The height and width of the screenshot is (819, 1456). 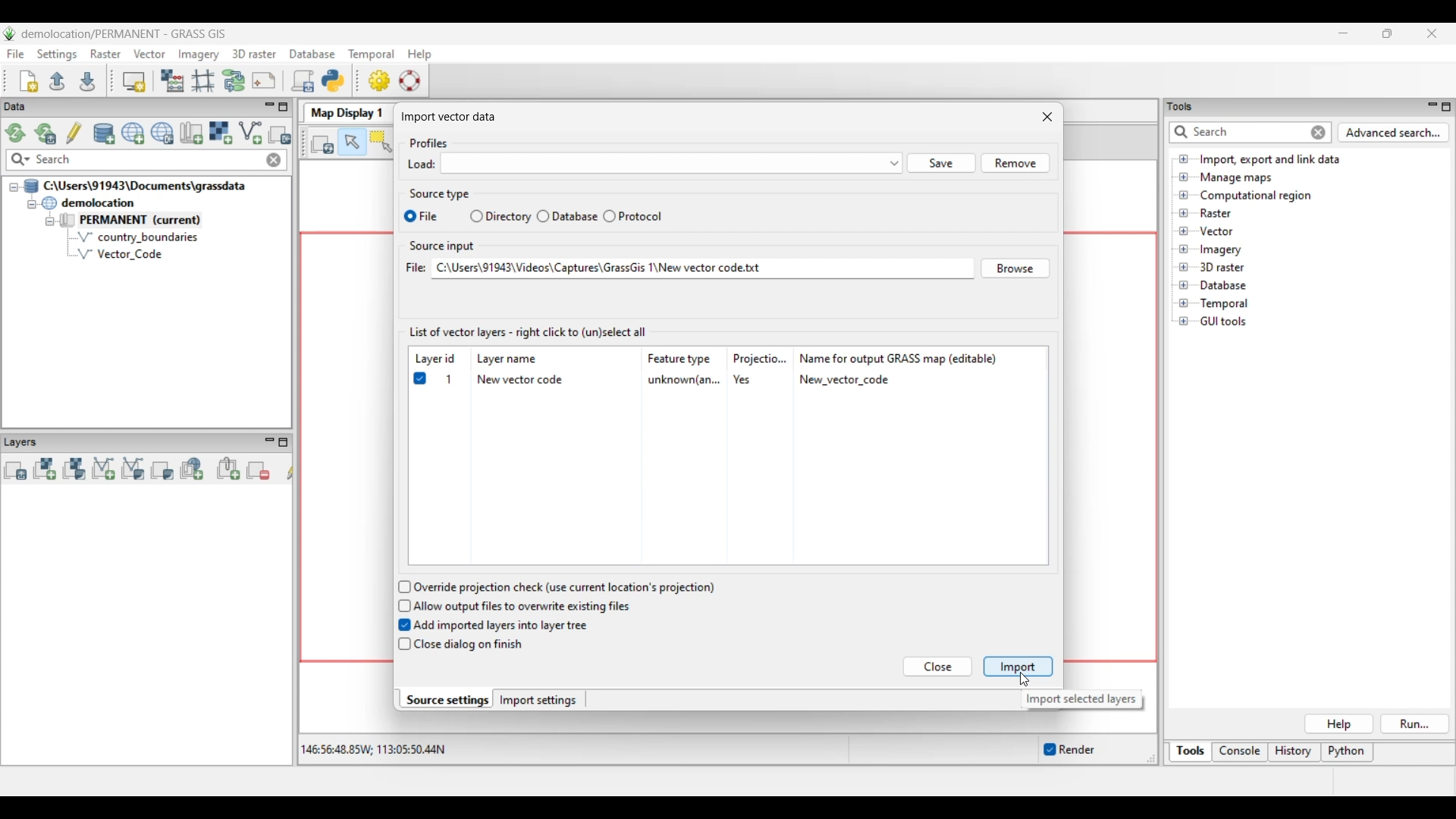 I want to click on Double click to collapse demolocation, so click(x=88, y=202).